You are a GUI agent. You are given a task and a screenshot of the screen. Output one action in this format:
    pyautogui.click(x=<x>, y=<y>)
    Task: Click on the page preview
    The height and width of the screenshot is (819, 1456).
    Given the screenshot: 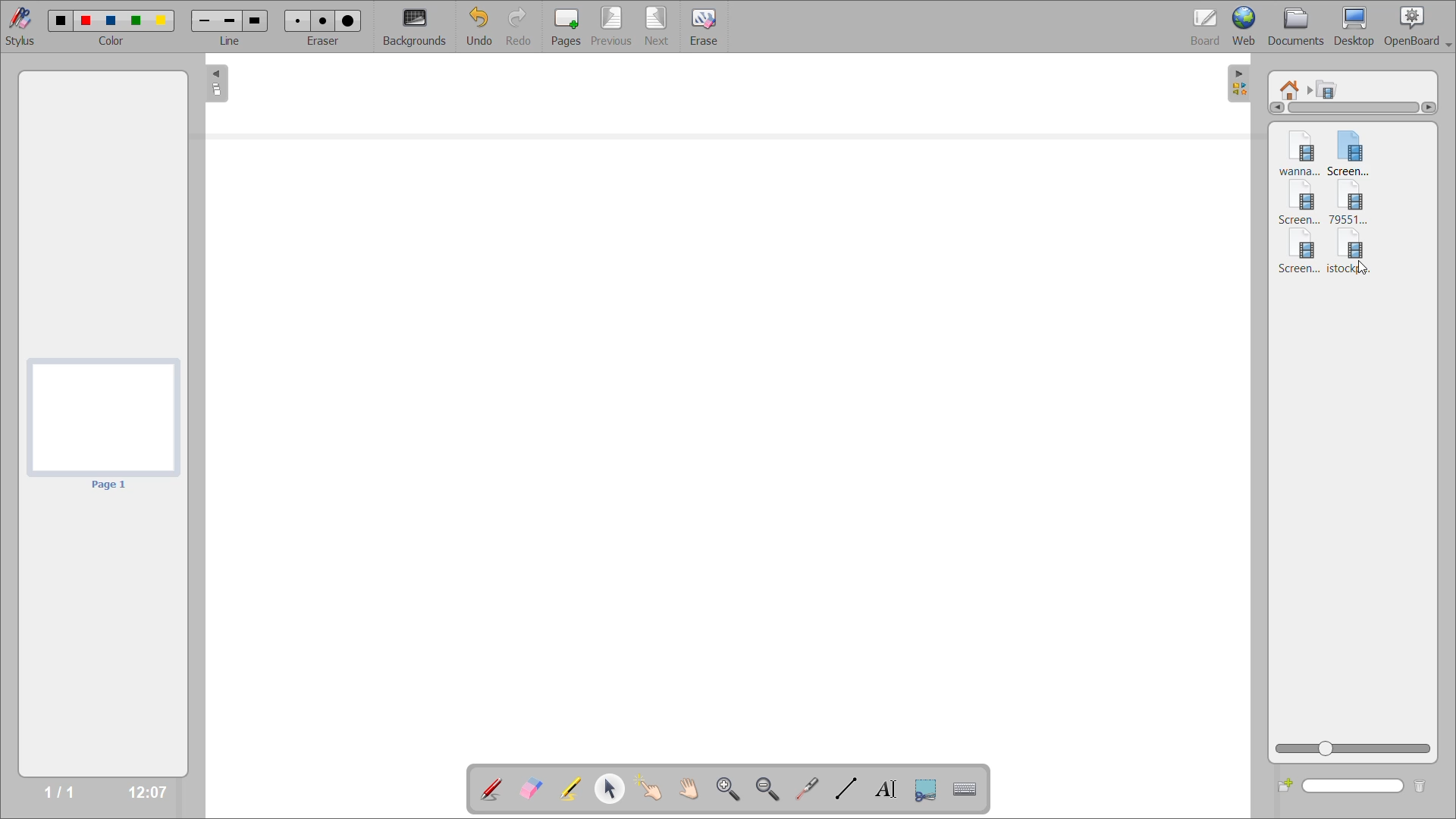 What is the action you would take?
    pyautogui.click(x=104, y=424)
    